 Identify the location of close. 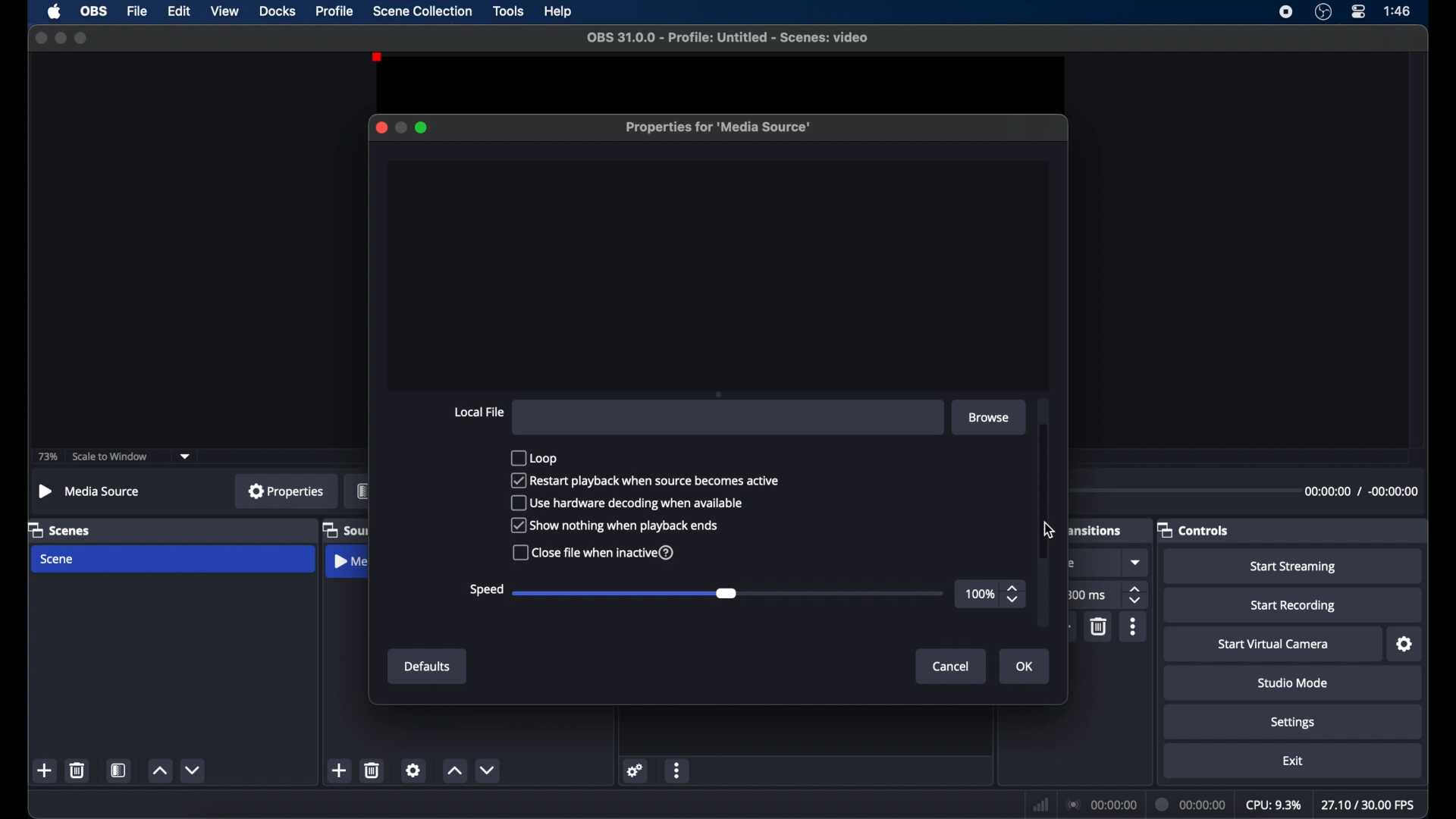
(41, 39).